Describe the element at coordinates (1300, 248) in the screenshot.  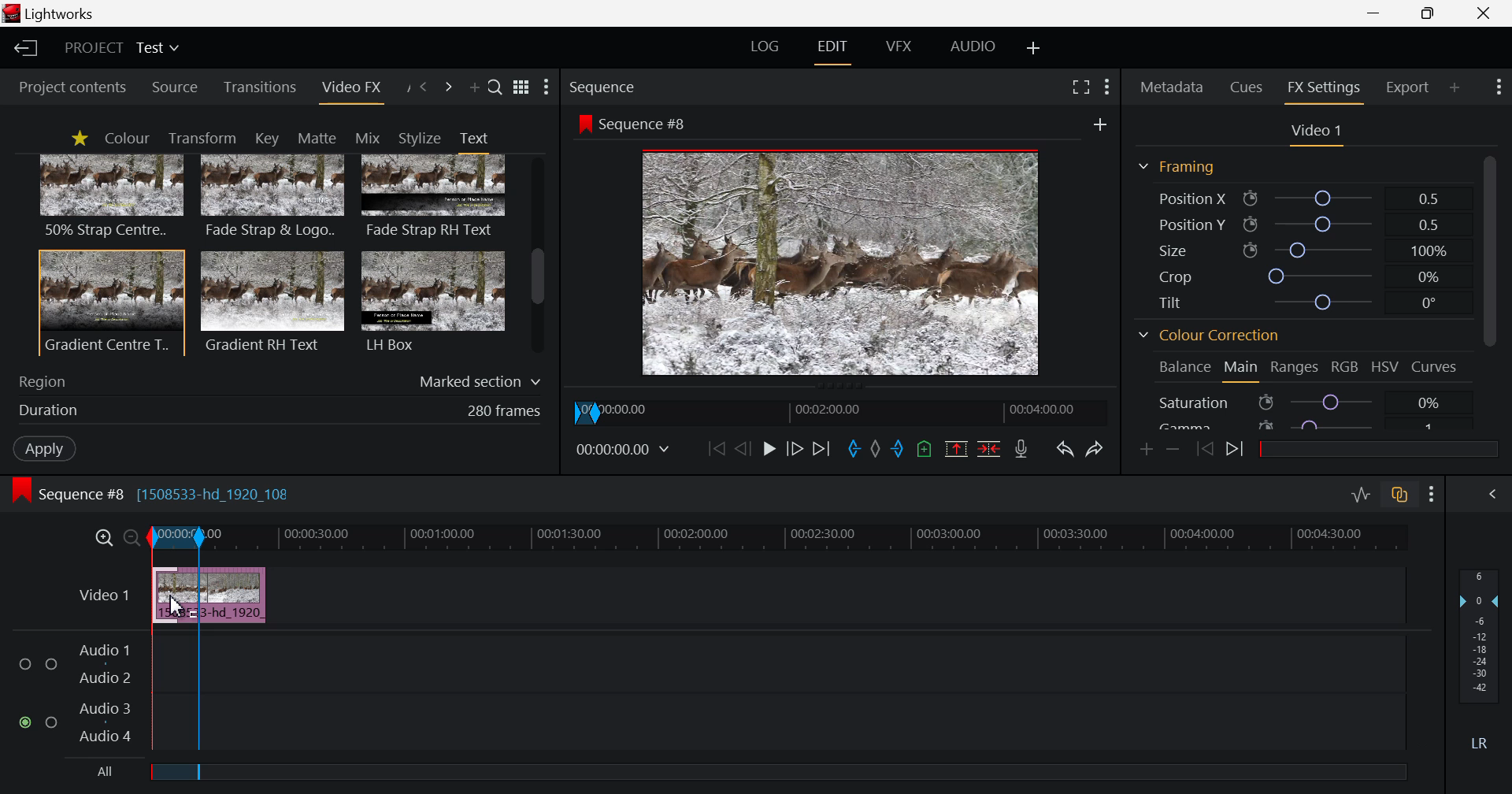
I see `Size` at that location.